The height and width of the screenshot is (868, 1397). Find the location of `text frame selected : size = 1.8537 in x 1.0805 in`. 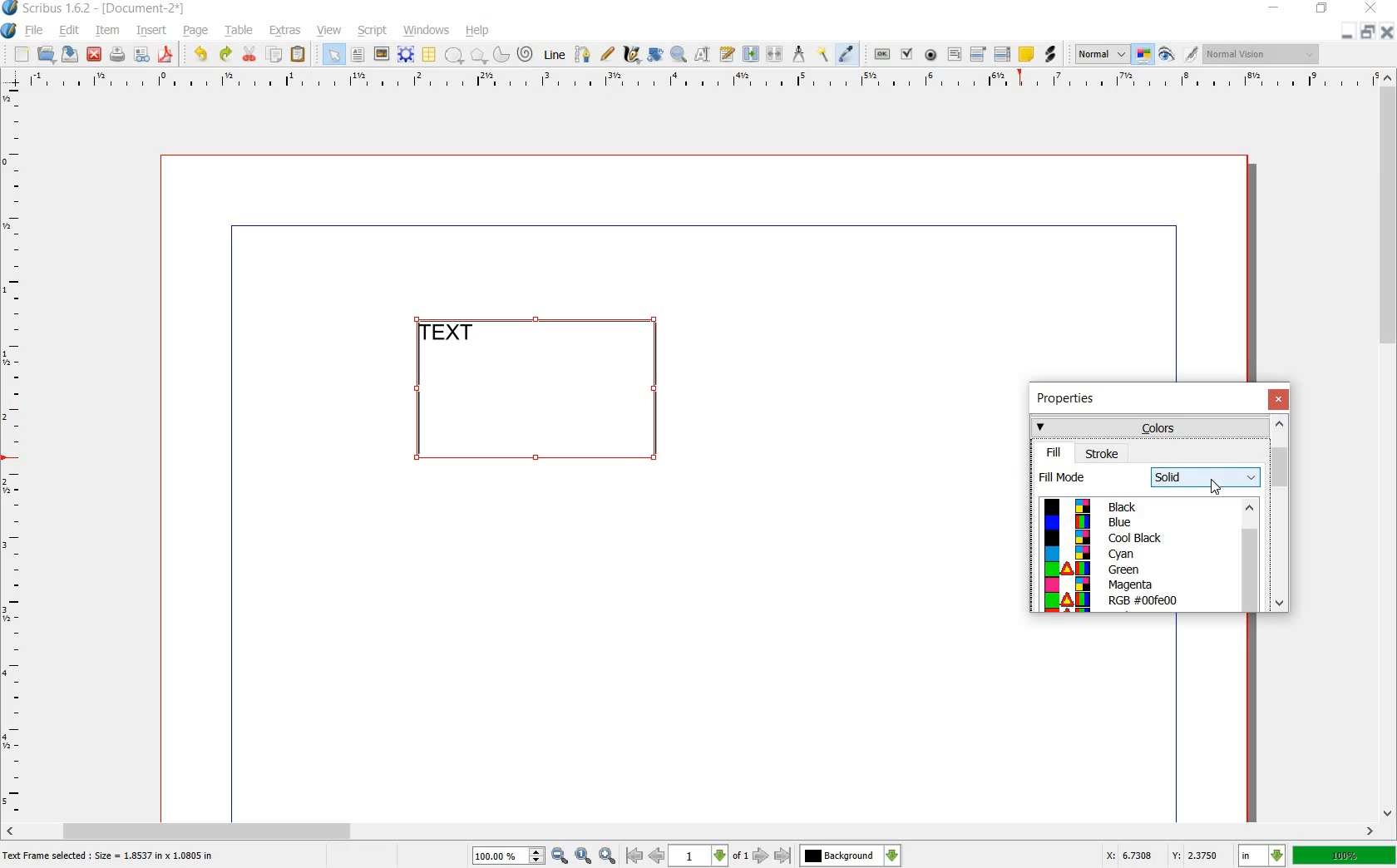

text frame selected : size = 1.8537 in x 1.0805 in is located at coordinates (111, 857).